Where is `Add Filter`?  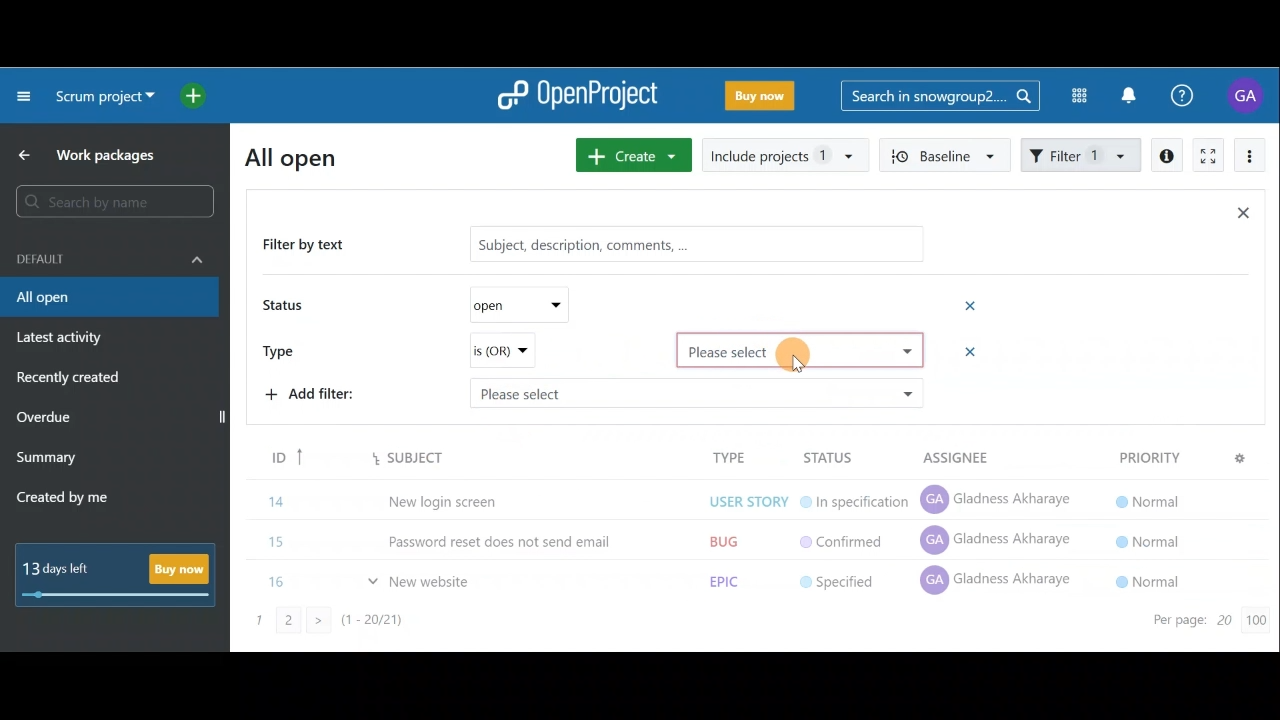
Add Filter is located at coordinates (316, 397).